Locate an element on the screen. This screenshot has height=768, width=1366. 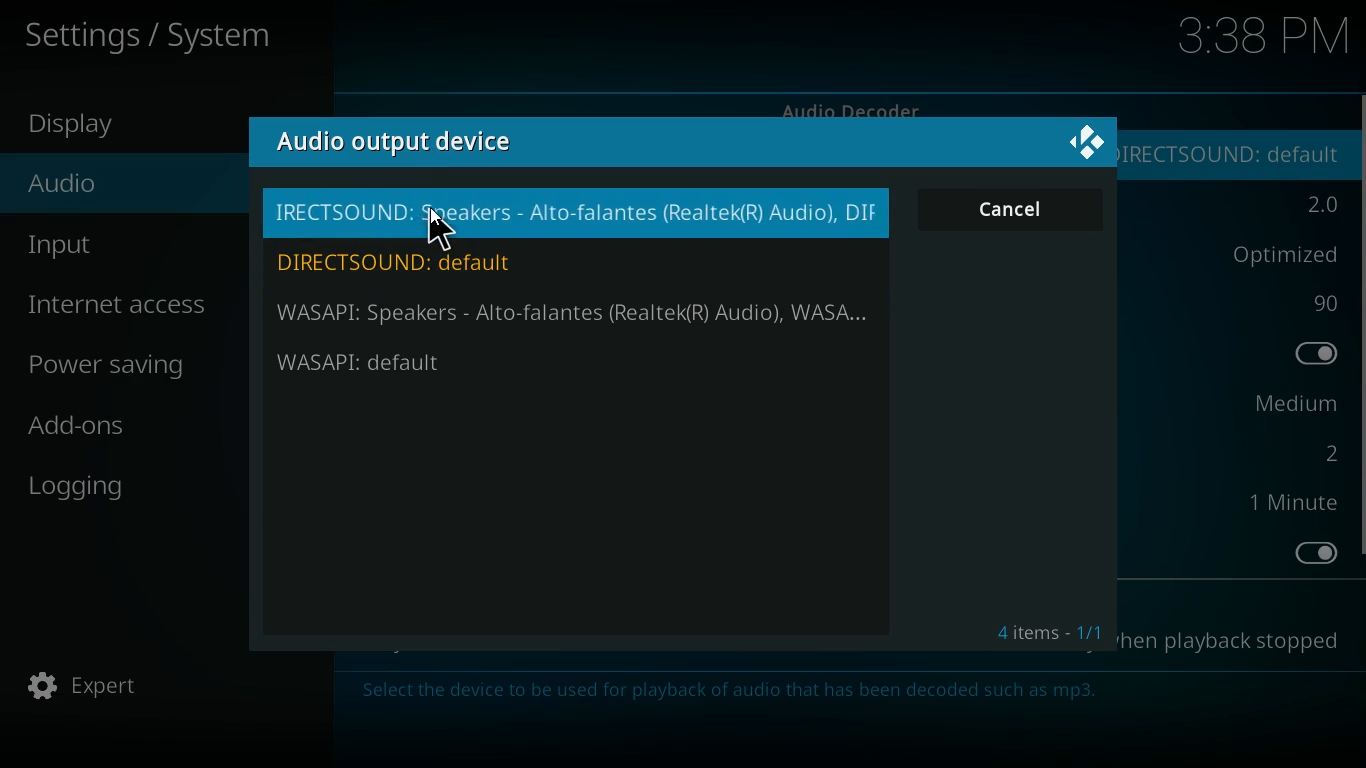
options is located at coordinates (1276, 254).